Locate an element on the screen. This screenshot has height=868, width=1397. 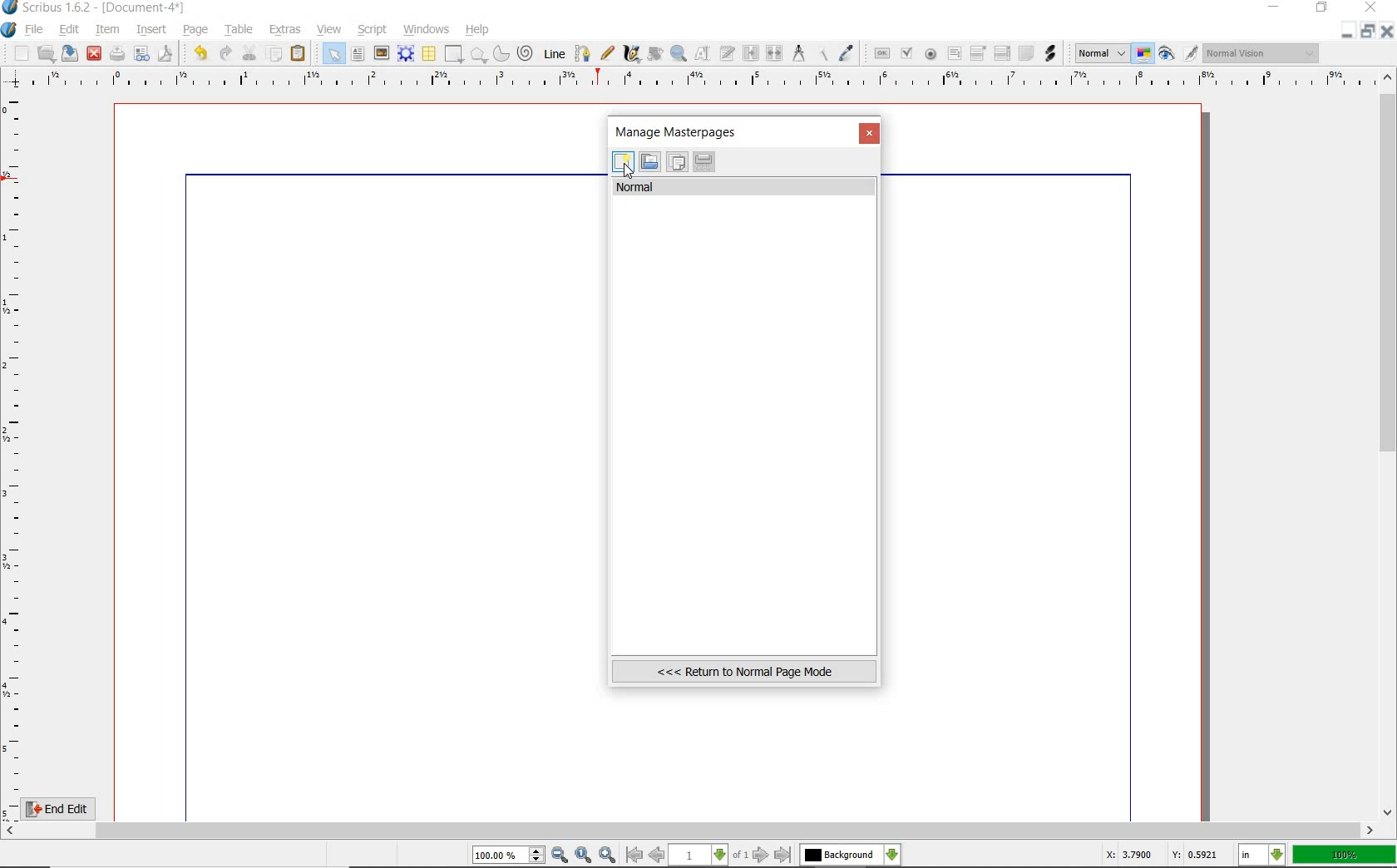
polygon is located at coordinates (478, 56).